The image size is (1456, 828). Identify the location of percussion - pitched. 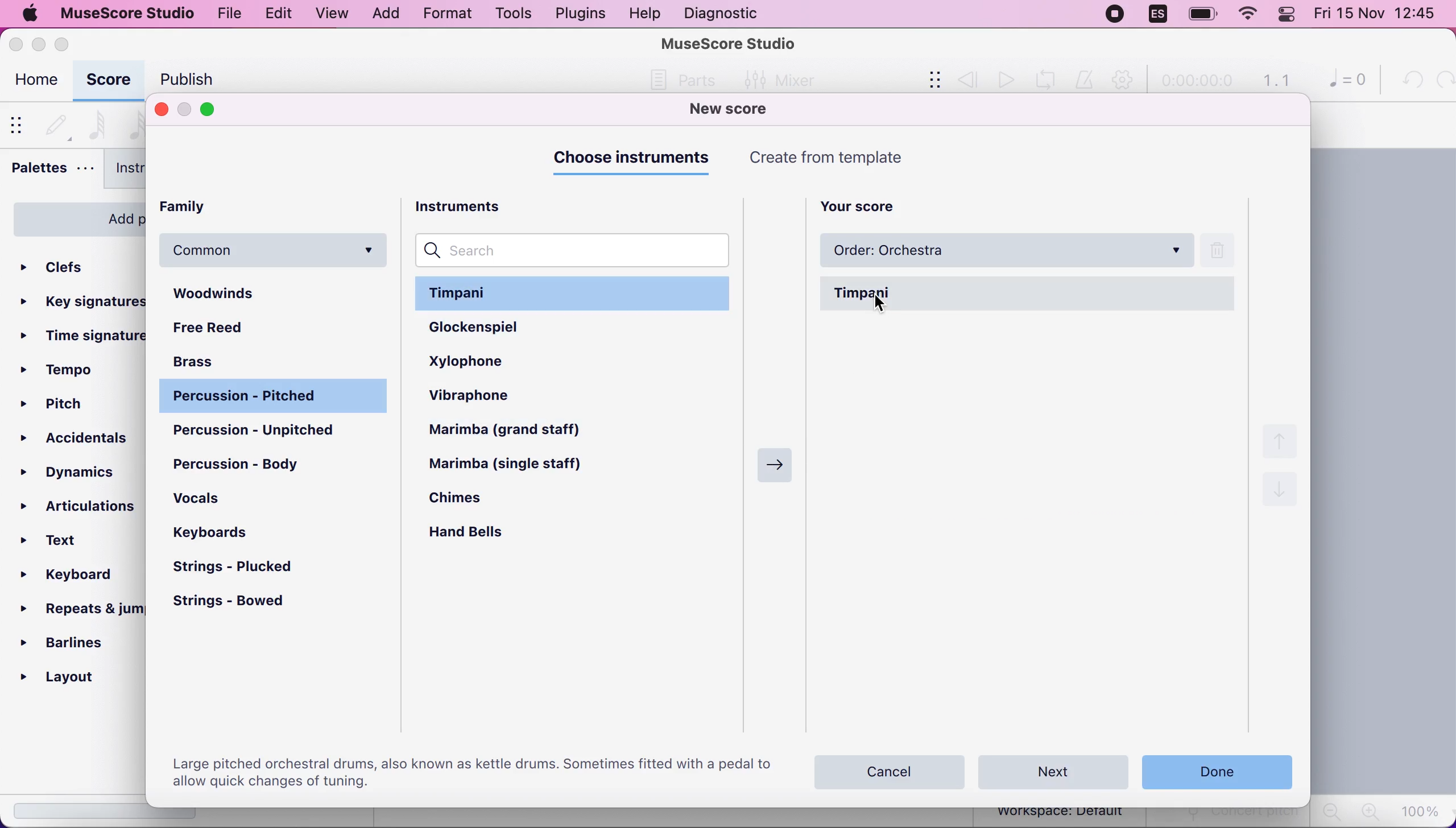
(271, 397).